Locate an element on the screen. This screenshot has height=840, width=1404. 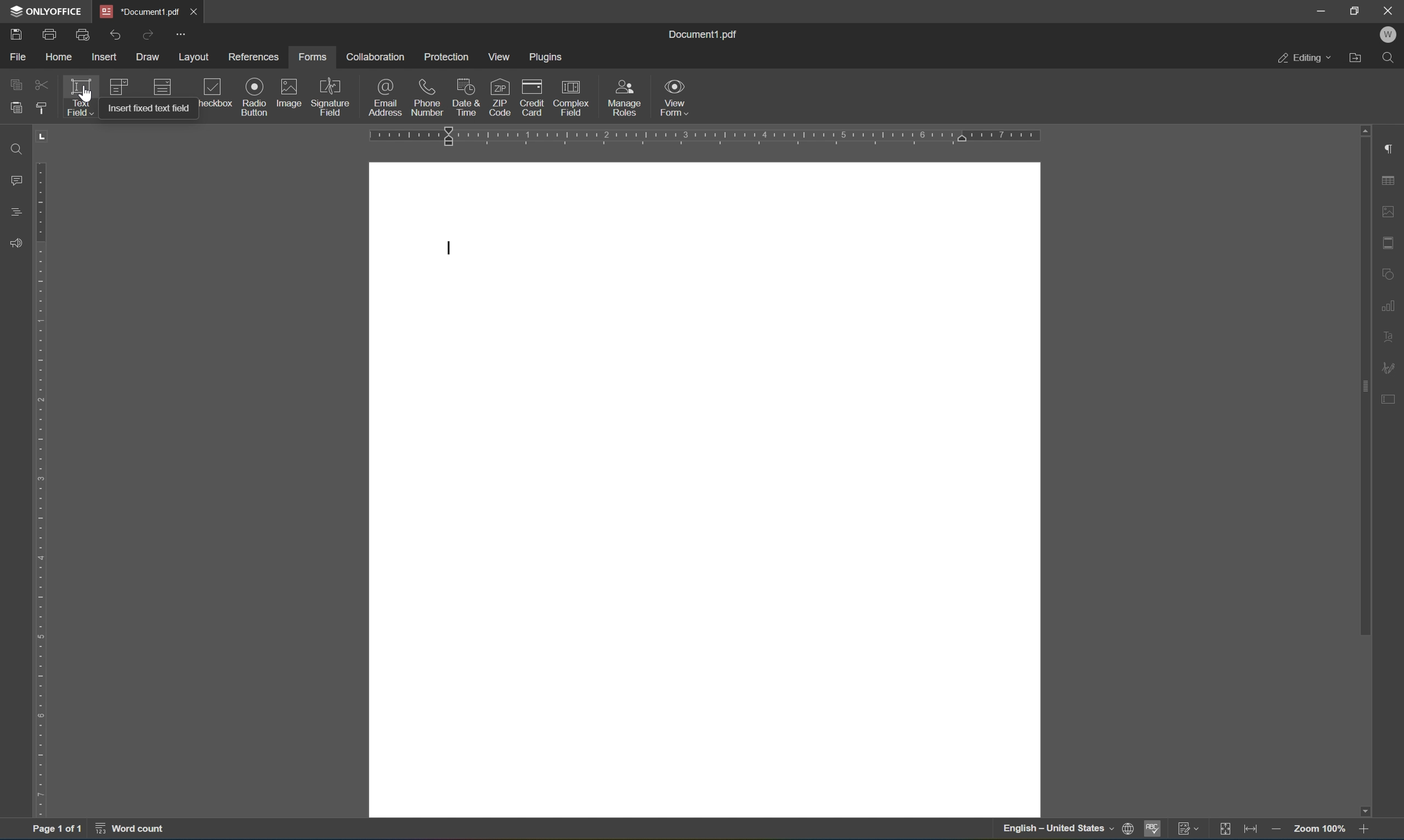
fit to width is located at coordinates (1252, 831).